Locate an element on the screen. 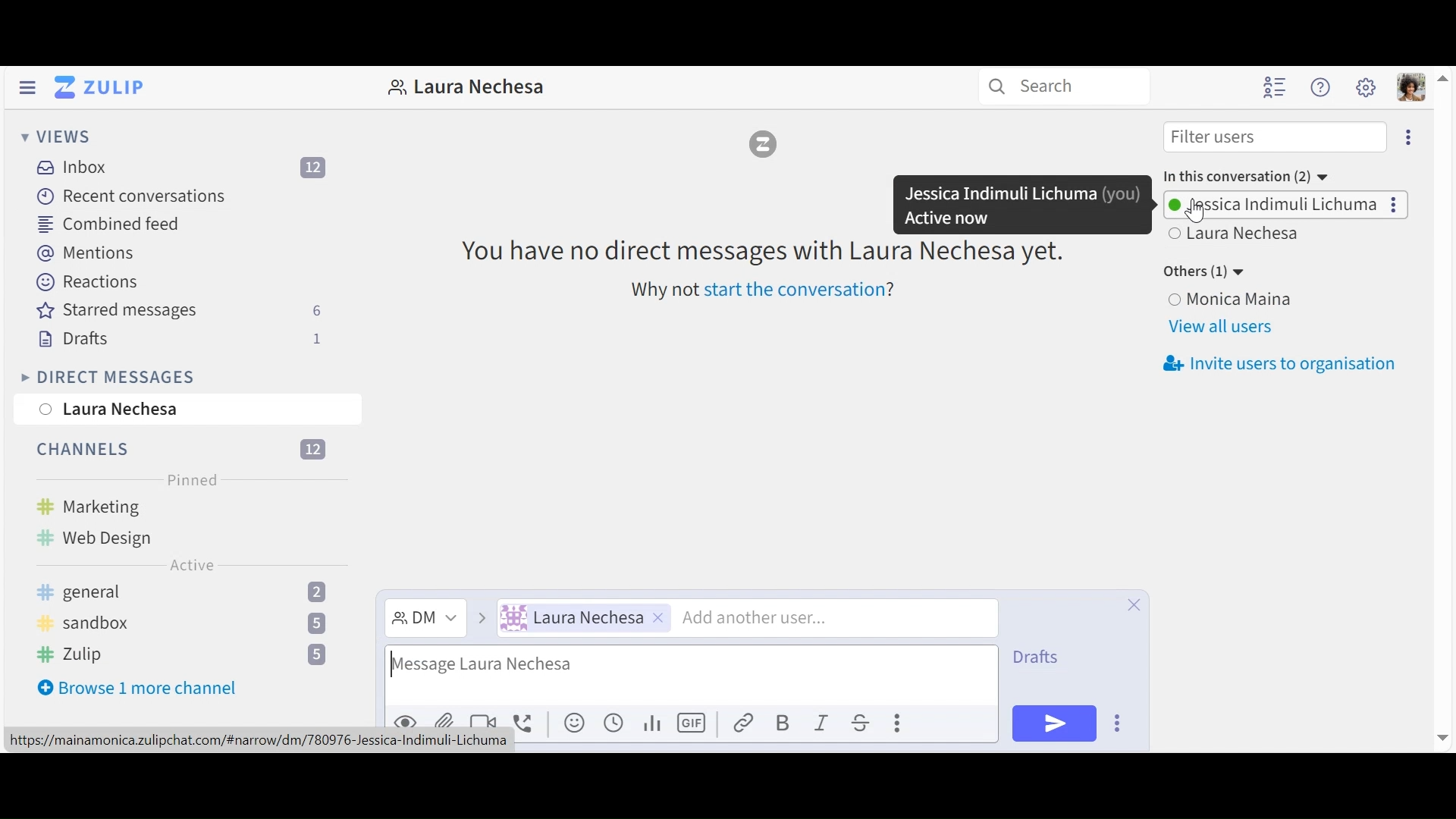 Image resolution: width=1456 pixels, height=819 pixels. Add GIF is located at coordinates (692, 722).